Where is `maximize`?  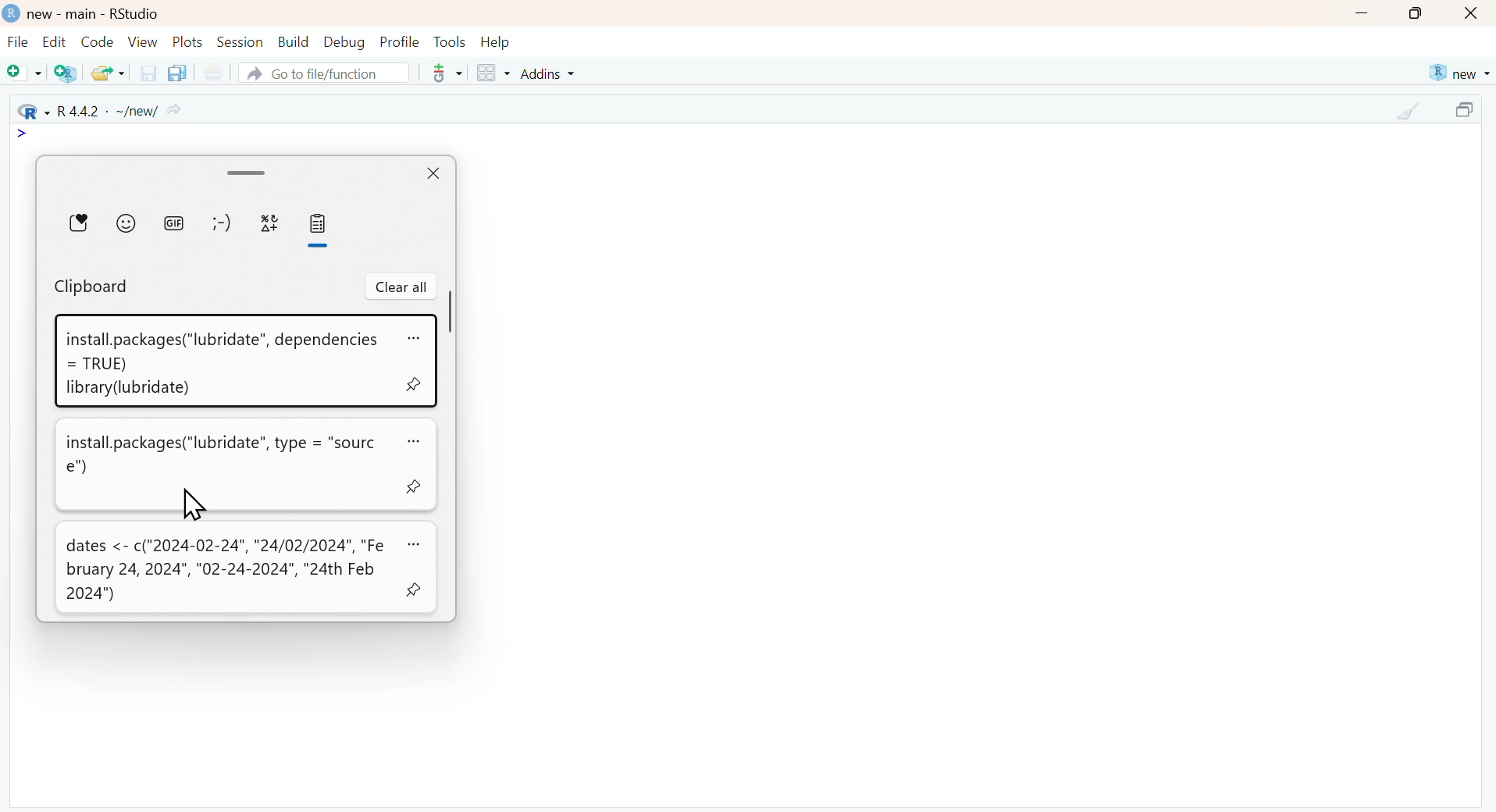 maximize is located at coordinates (1468, 112).